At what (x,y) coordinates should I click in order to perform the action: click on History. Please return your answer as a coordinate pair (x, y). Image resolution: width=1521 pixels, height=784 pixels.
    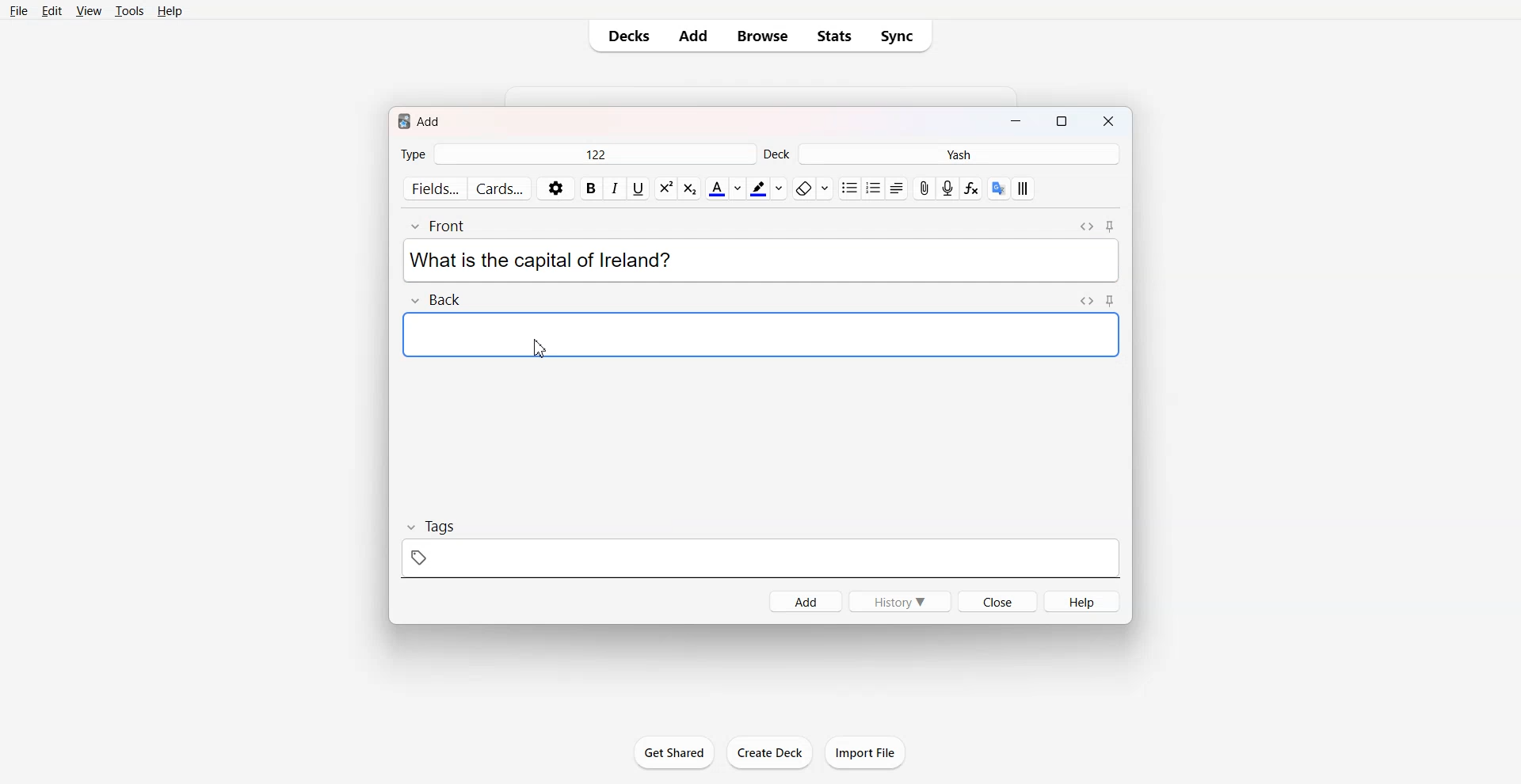
    Looking at the image, I should click on (898, 600).